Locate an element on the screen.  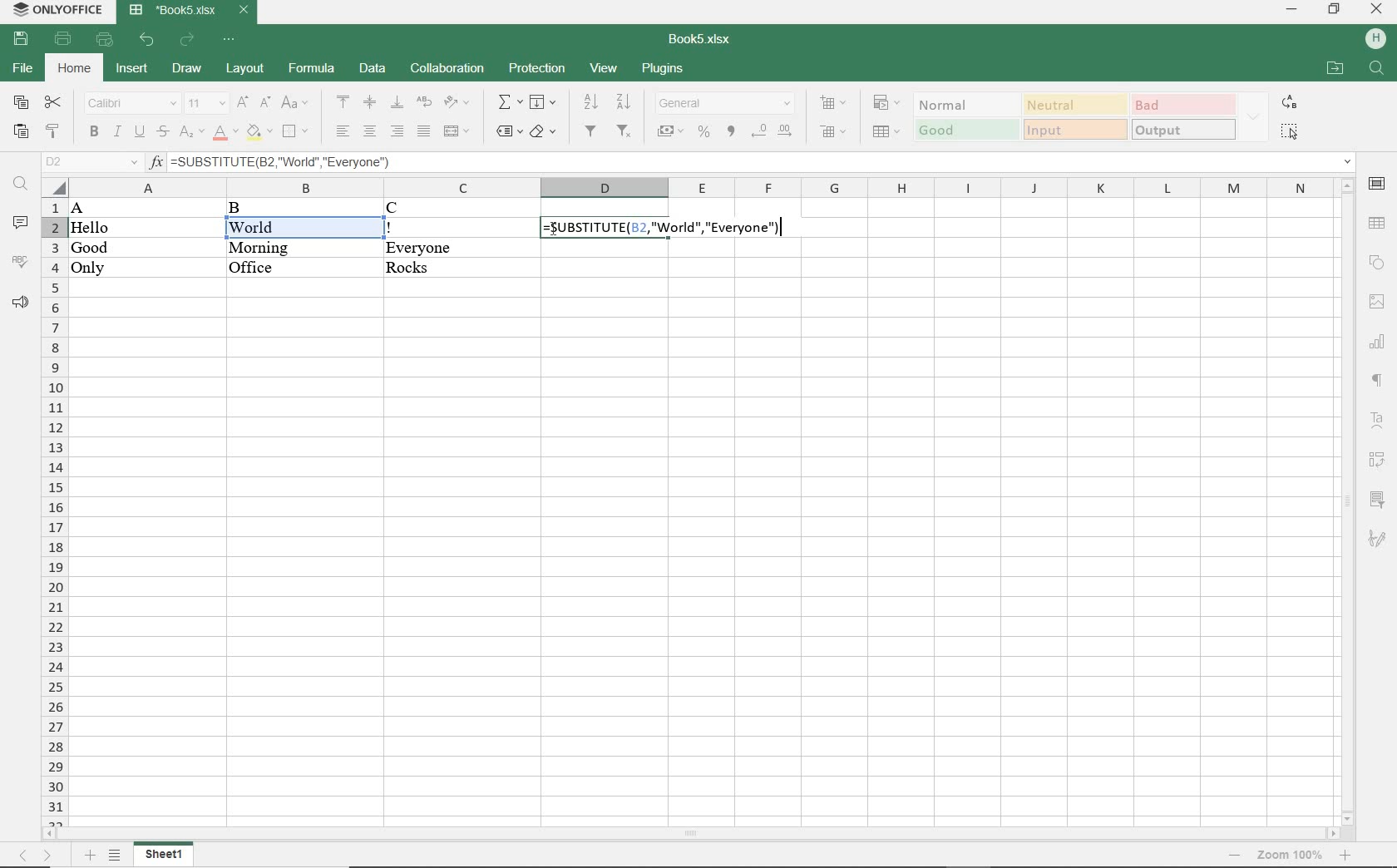
undo is located at coordinates (149, 40).